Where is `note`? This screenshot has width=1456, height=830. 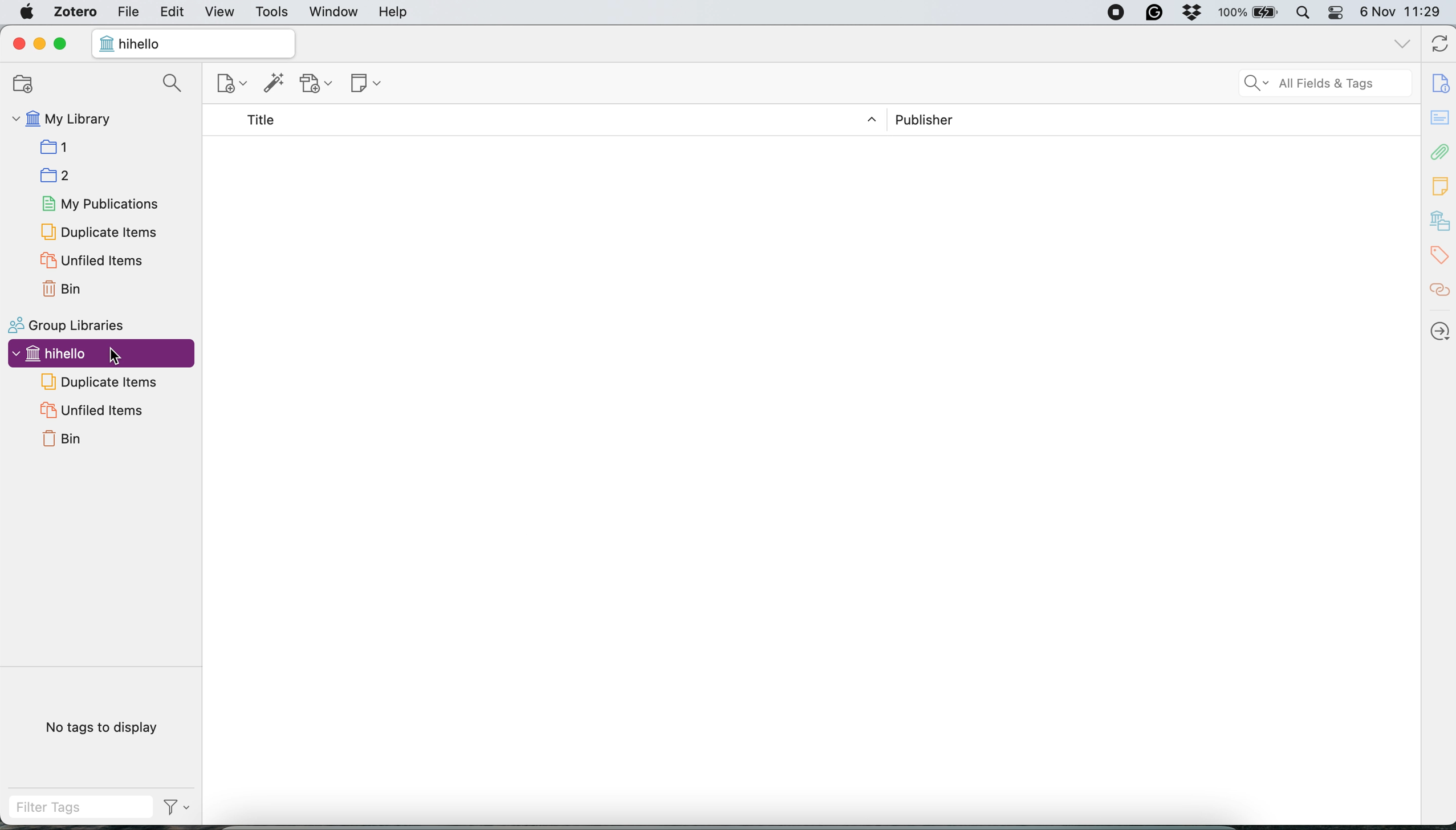 note is located at coordinates (1439, 186).